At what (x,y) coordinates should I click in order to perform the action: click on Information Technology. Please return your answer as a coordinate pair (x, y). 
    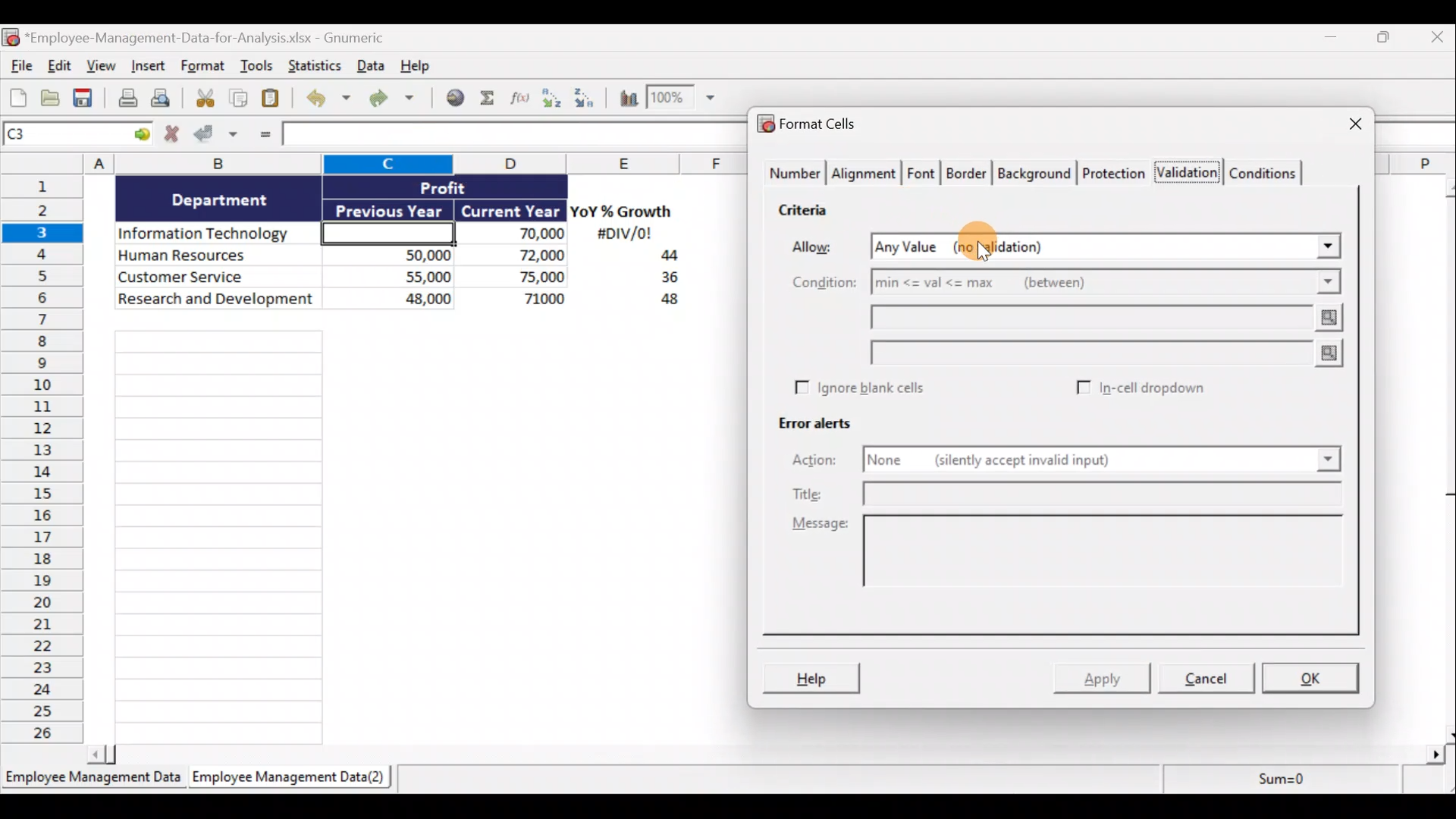
    Looking at the image, I should click on (218, 234).